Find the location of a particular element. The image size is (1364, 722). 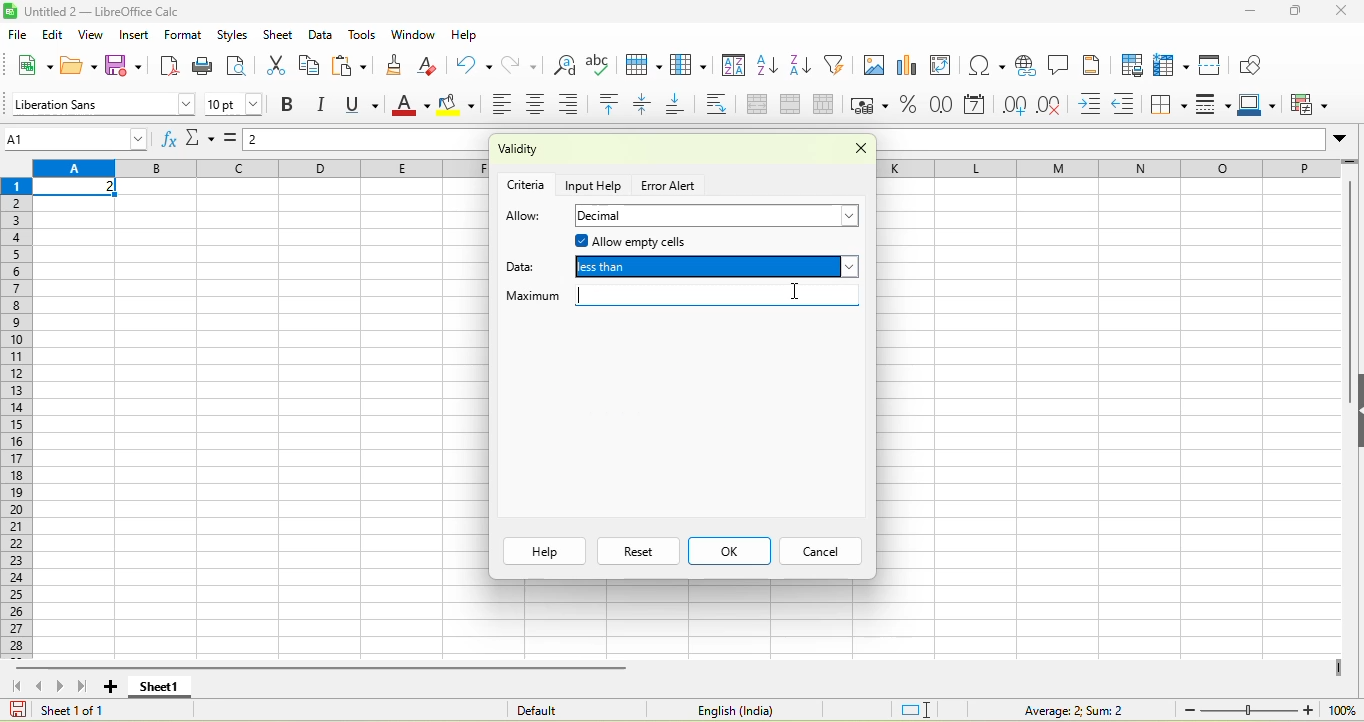

deciman is located at coordinates (719, 216).